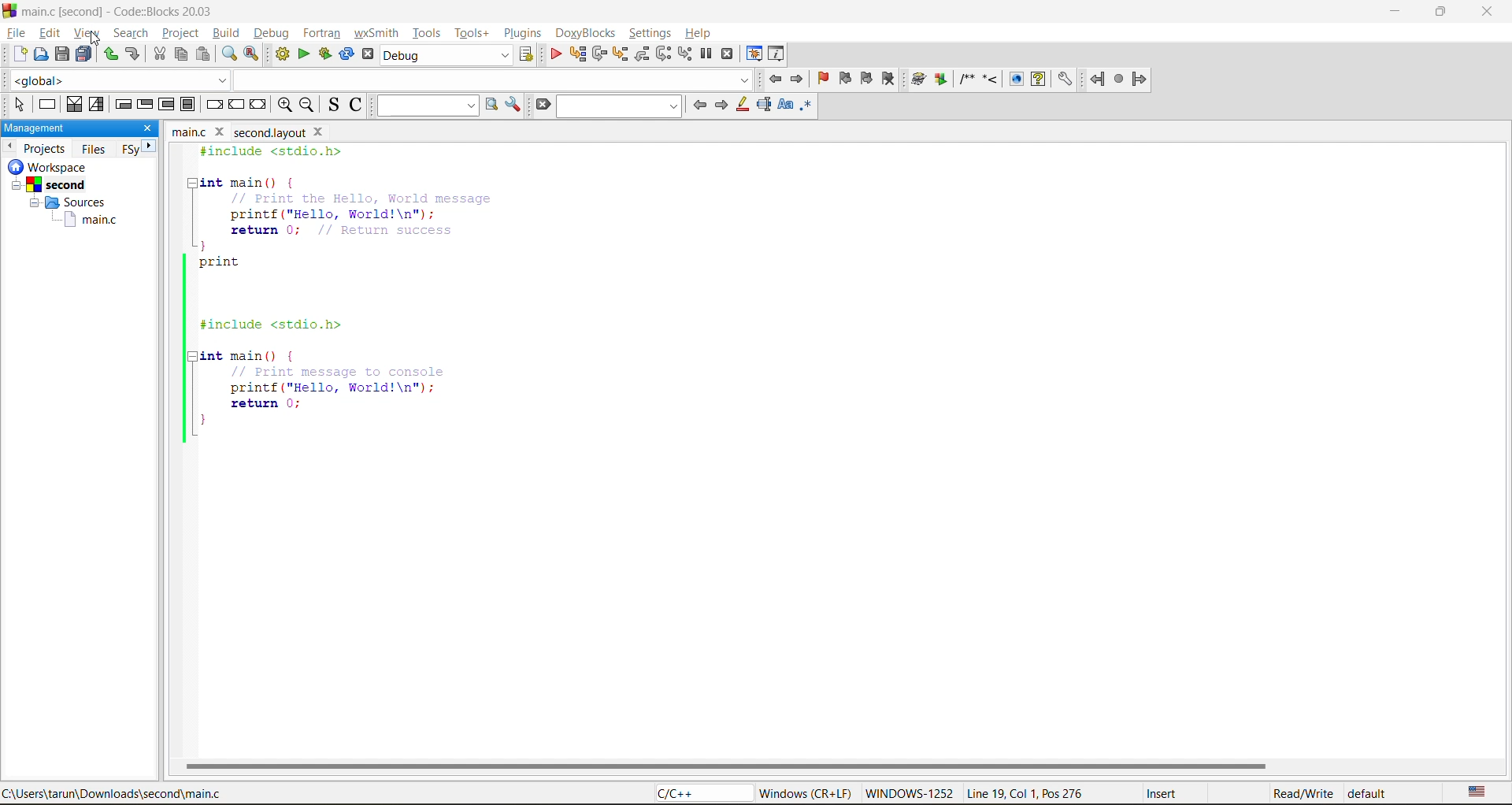 Image resolution: width=1512 pixels, height=805 pixels. I want to click on continue instruction, so click(236, 103).